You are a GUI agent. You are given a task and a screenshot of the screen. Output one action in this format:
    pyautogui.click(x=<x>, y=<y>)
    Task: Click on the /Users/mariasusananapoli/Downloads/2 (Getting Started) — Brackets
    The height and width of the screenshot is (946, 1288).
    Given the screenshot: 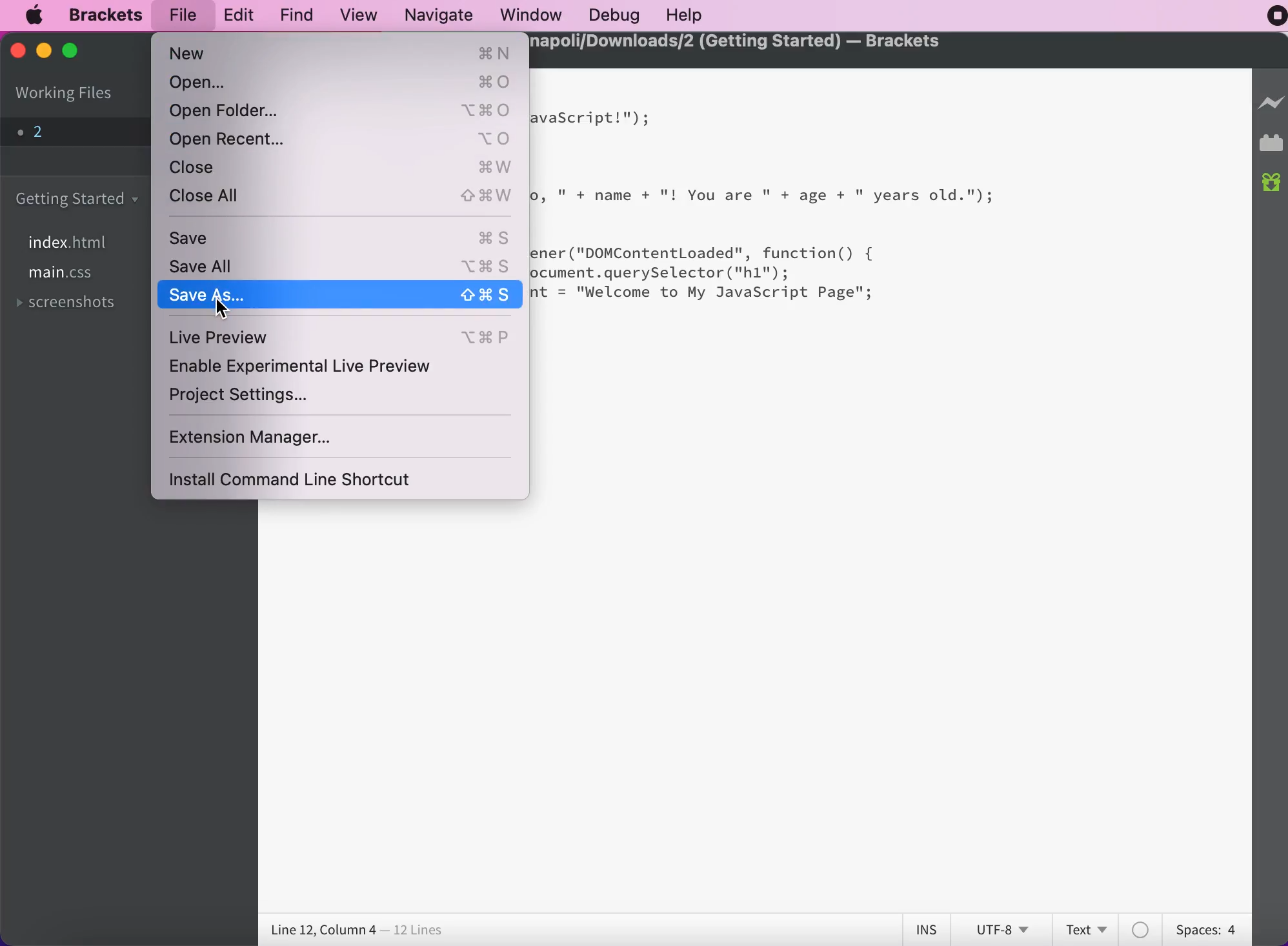 What is the action you would take?
    pyautogui.click(x=738, y=42)
    